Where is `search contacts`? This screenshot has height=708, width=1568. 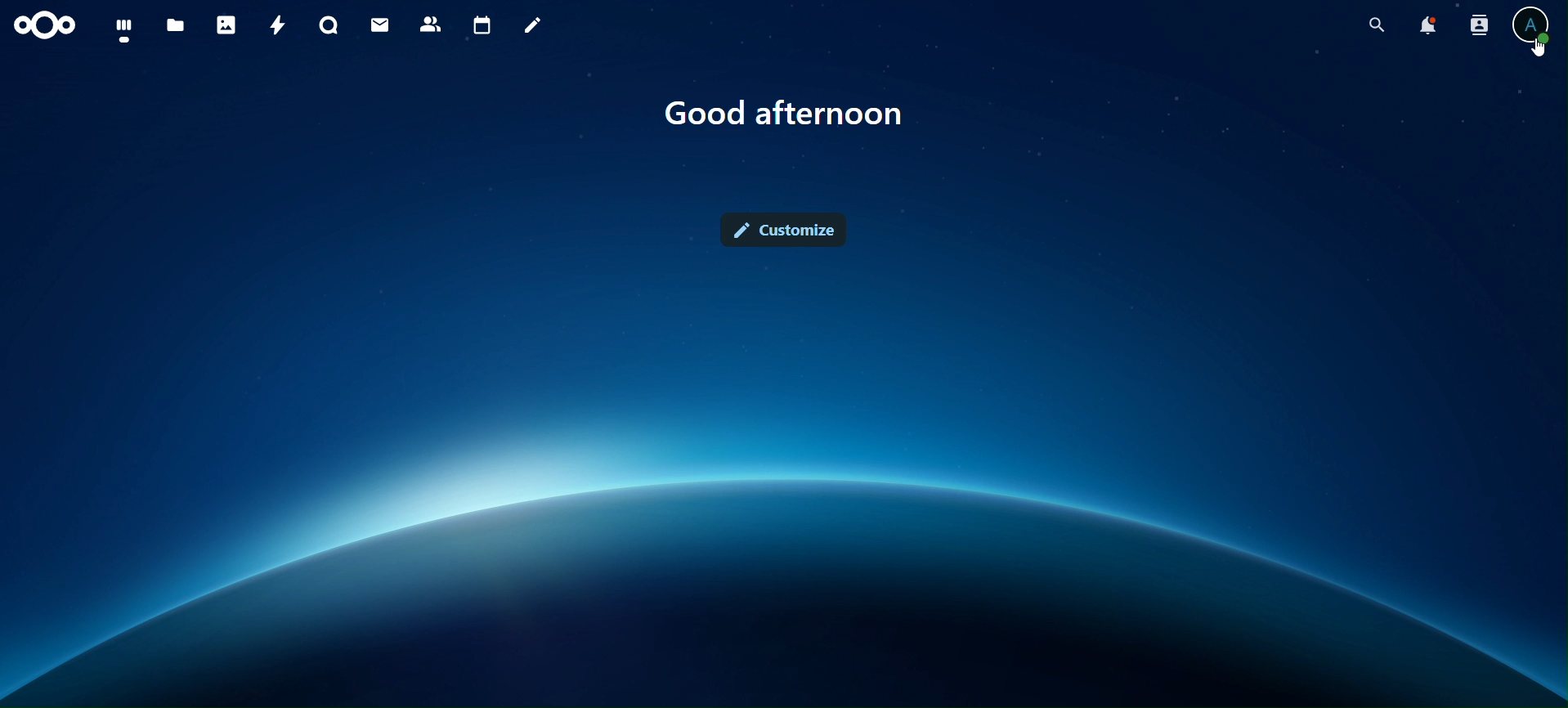 search contacts is located at coordinates (1479, 25).